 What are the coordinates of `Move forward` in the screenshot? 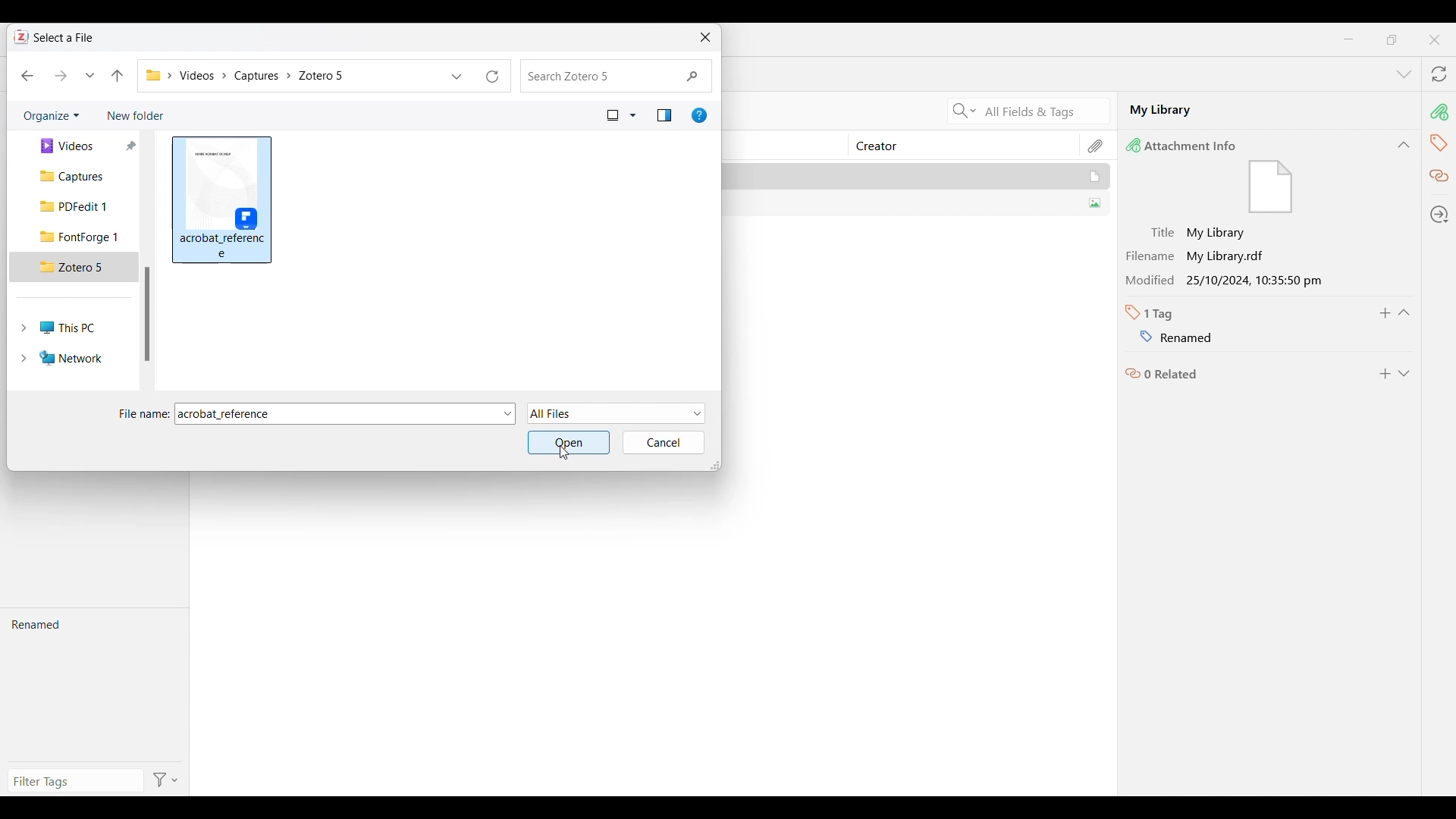 It's located at (61, 76).